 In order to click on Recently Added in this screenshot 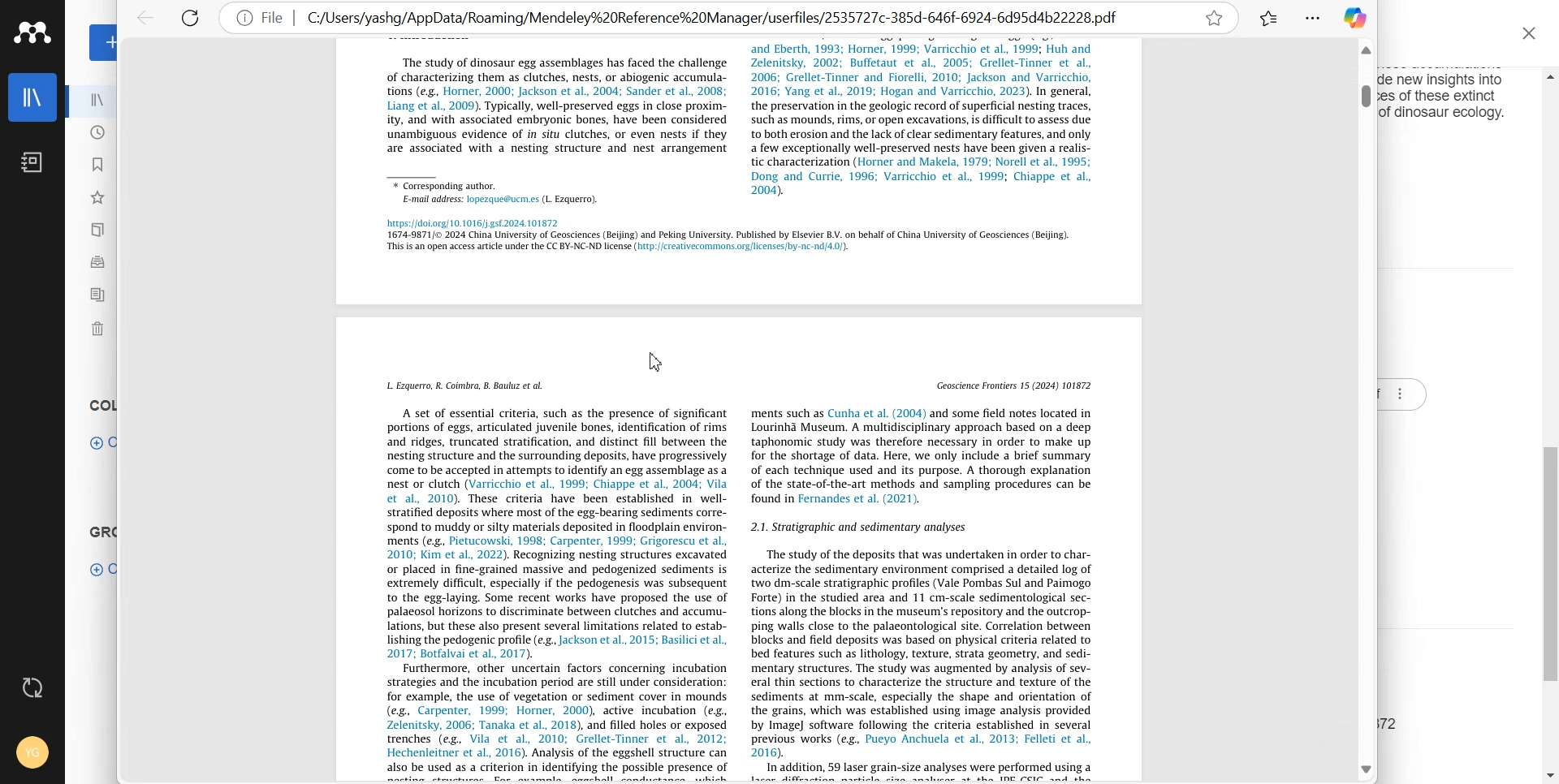, I will do `click(97, 134)`.